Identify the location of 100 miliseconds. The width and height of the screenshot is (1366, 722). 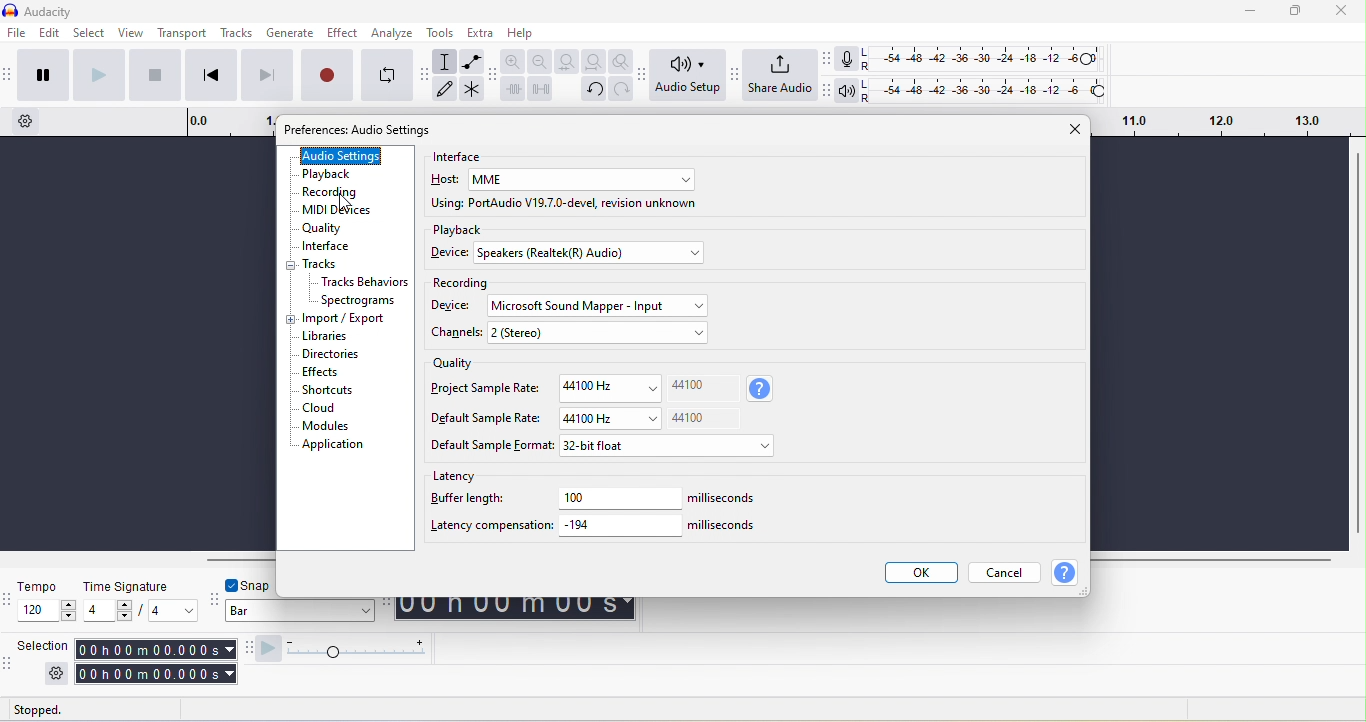
(664, 499).